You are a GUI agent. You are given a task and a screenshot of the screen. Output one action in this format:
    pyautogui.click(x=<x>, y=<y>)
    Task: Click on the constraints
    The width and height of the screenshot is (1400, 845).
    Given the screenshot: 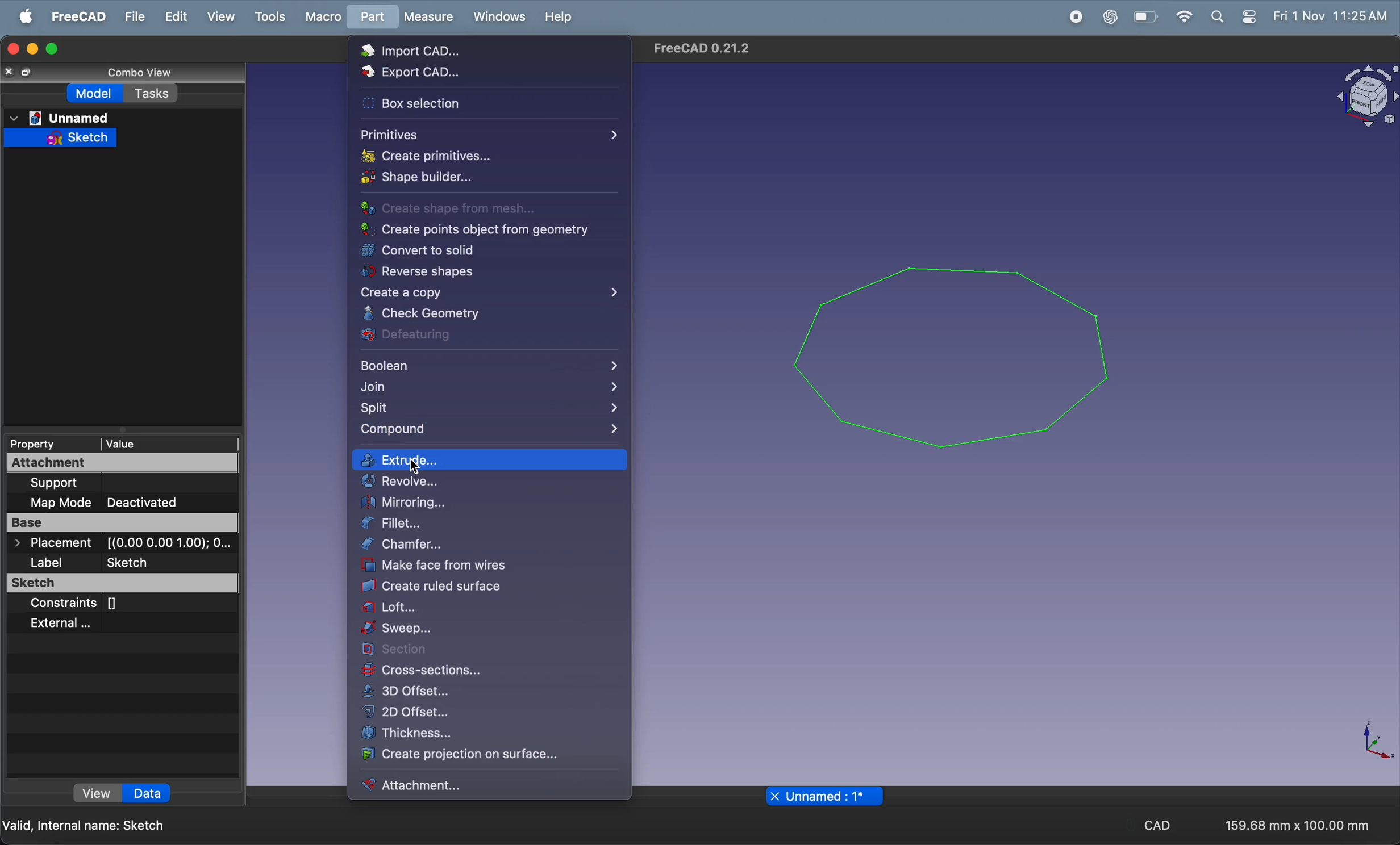 What is the action you would take?
    pyautogui.click(x=97, y=601)
    